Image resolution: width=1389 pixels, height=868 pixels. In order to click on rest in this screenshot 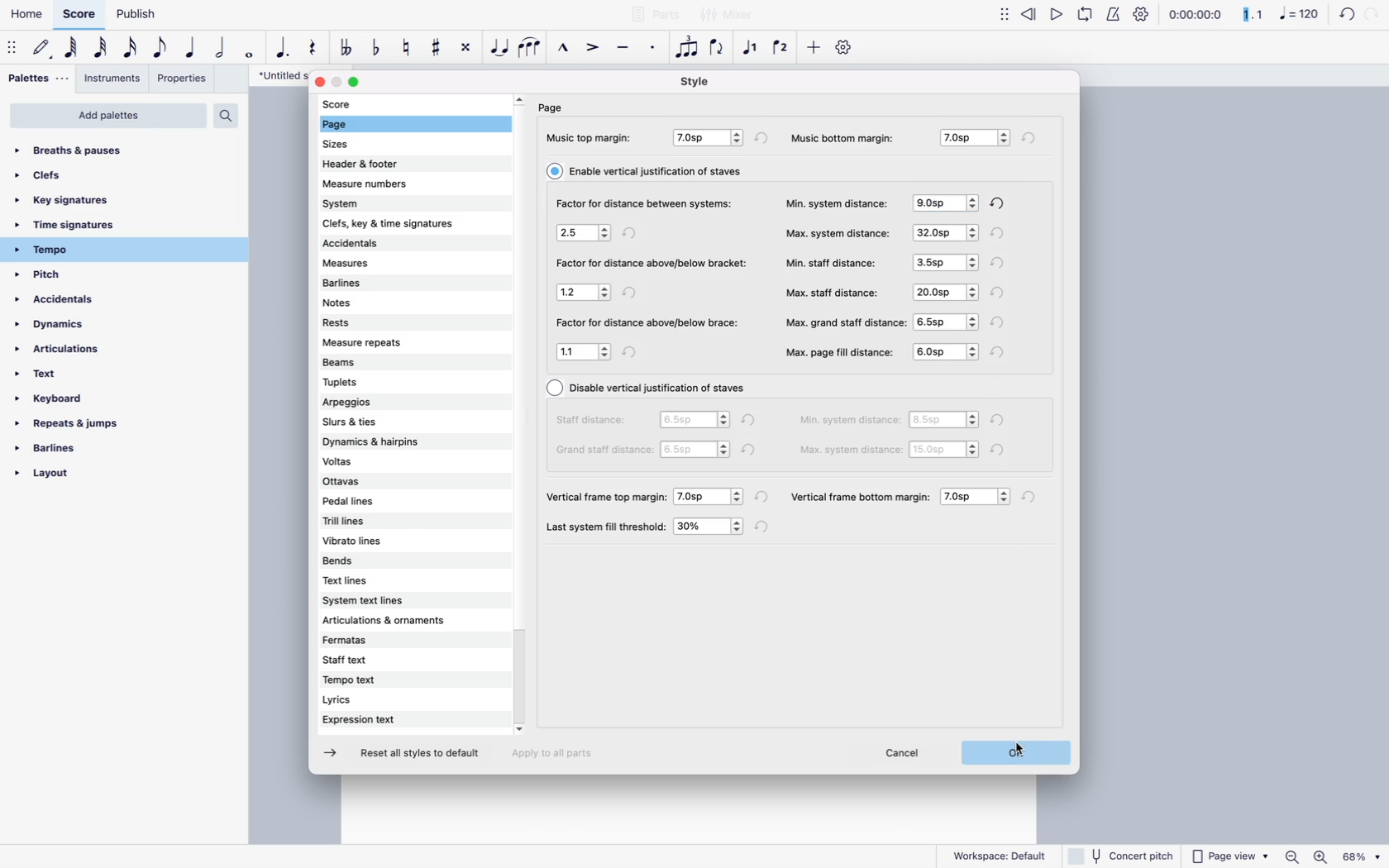, I will do `click(316, 48)`.